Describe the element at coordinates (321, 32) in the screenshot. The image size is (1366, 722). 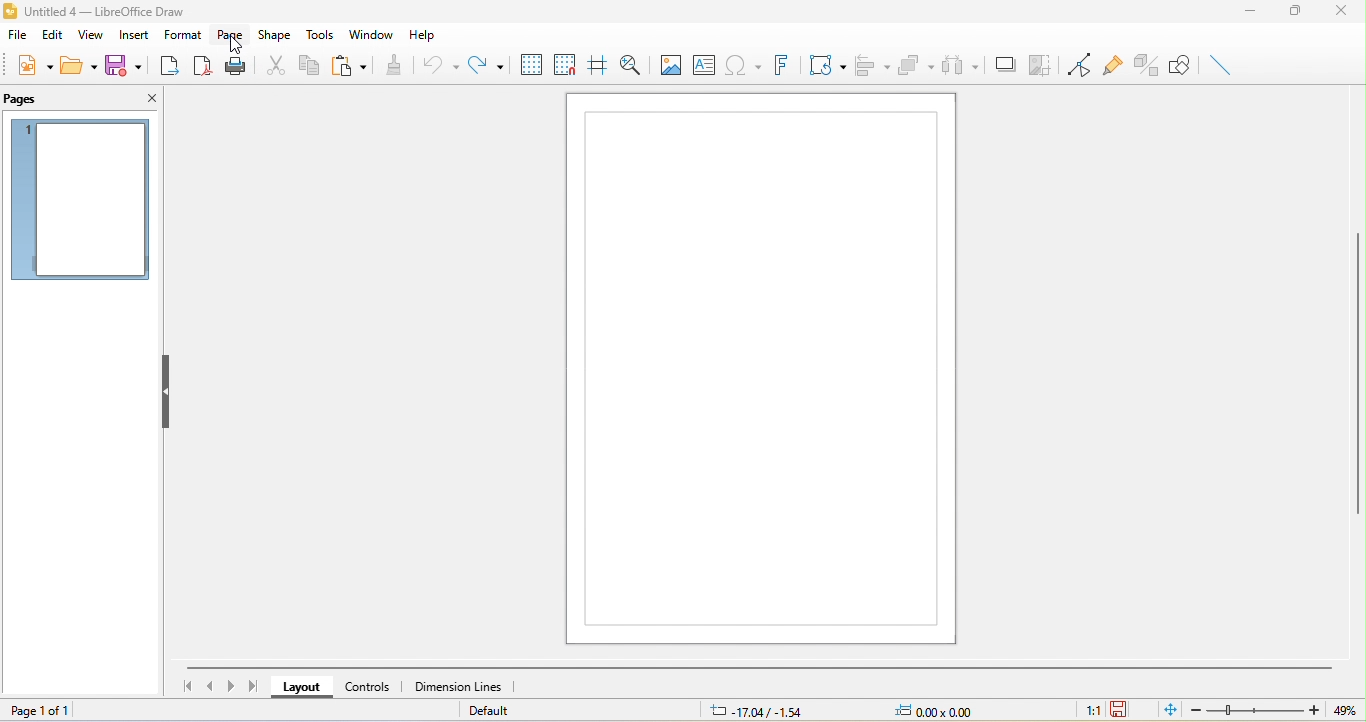
I see `tools` at that location.